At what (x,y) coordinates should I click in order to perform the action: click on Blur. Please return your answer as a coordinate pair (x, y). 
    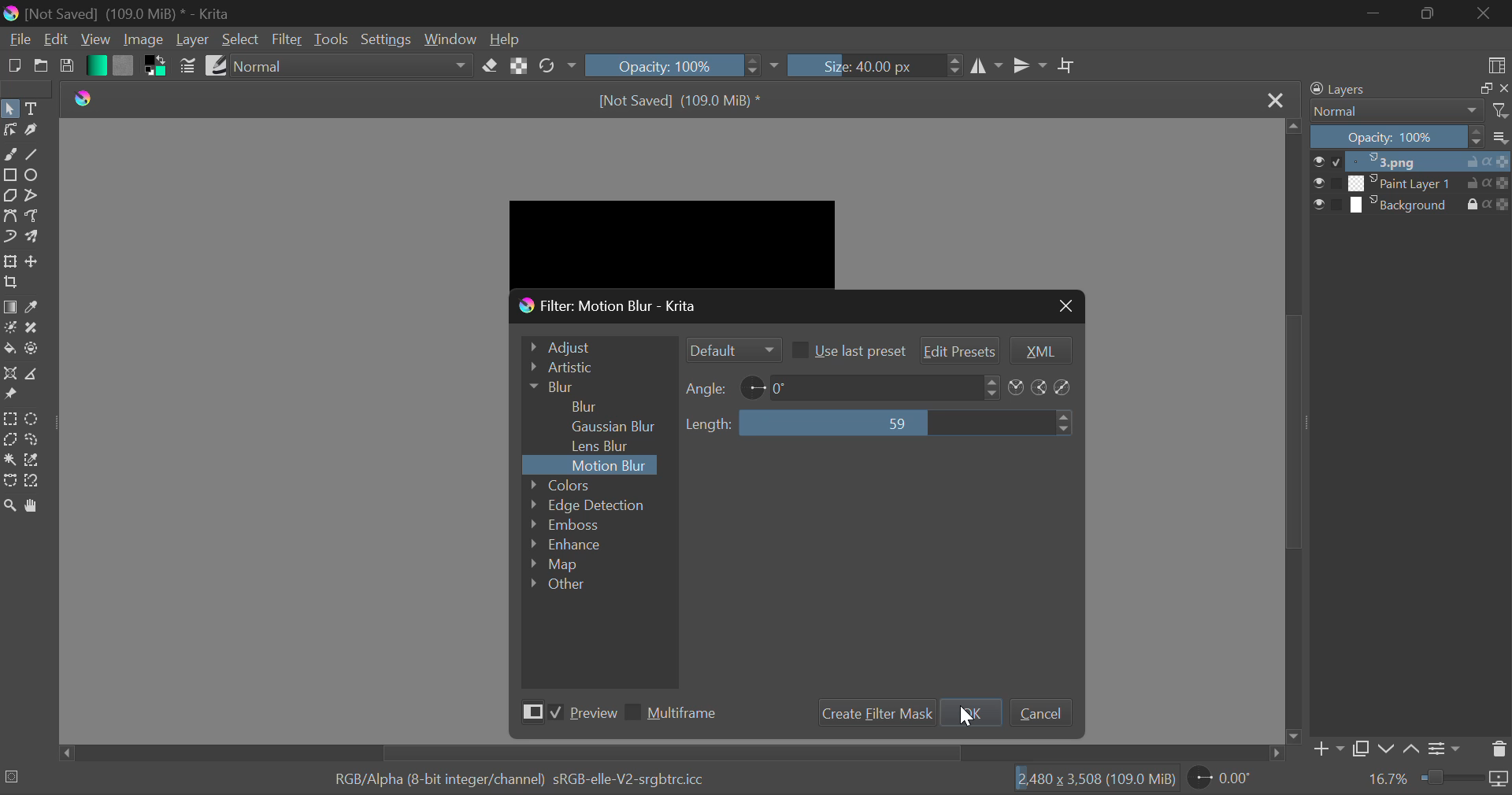
    Looking at the image, I should click on (586, 405).